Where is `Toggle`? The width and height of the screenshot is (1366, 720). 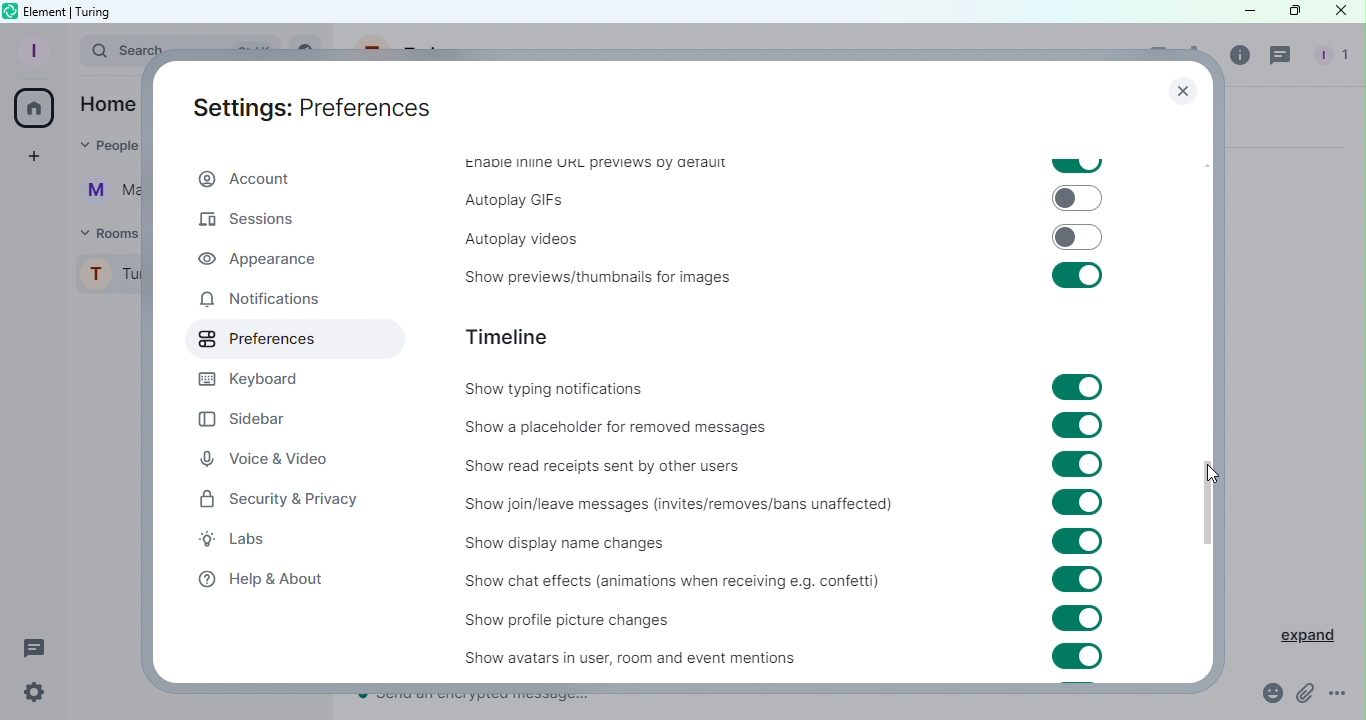
Toggle is located at coordinates (1077, 657).